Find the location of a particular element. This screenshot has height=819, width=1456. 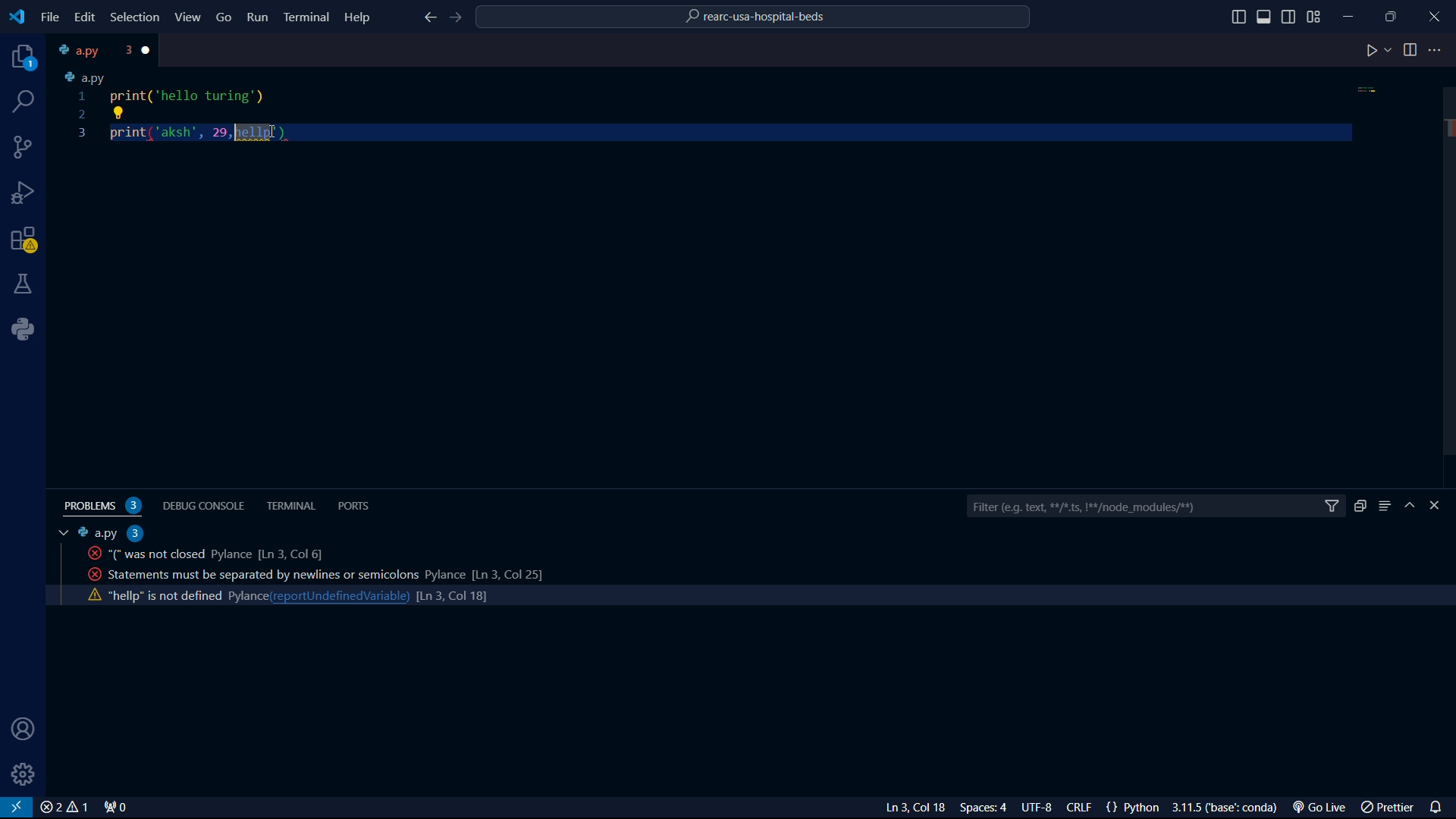

ports is located at coordinates (357, 505).